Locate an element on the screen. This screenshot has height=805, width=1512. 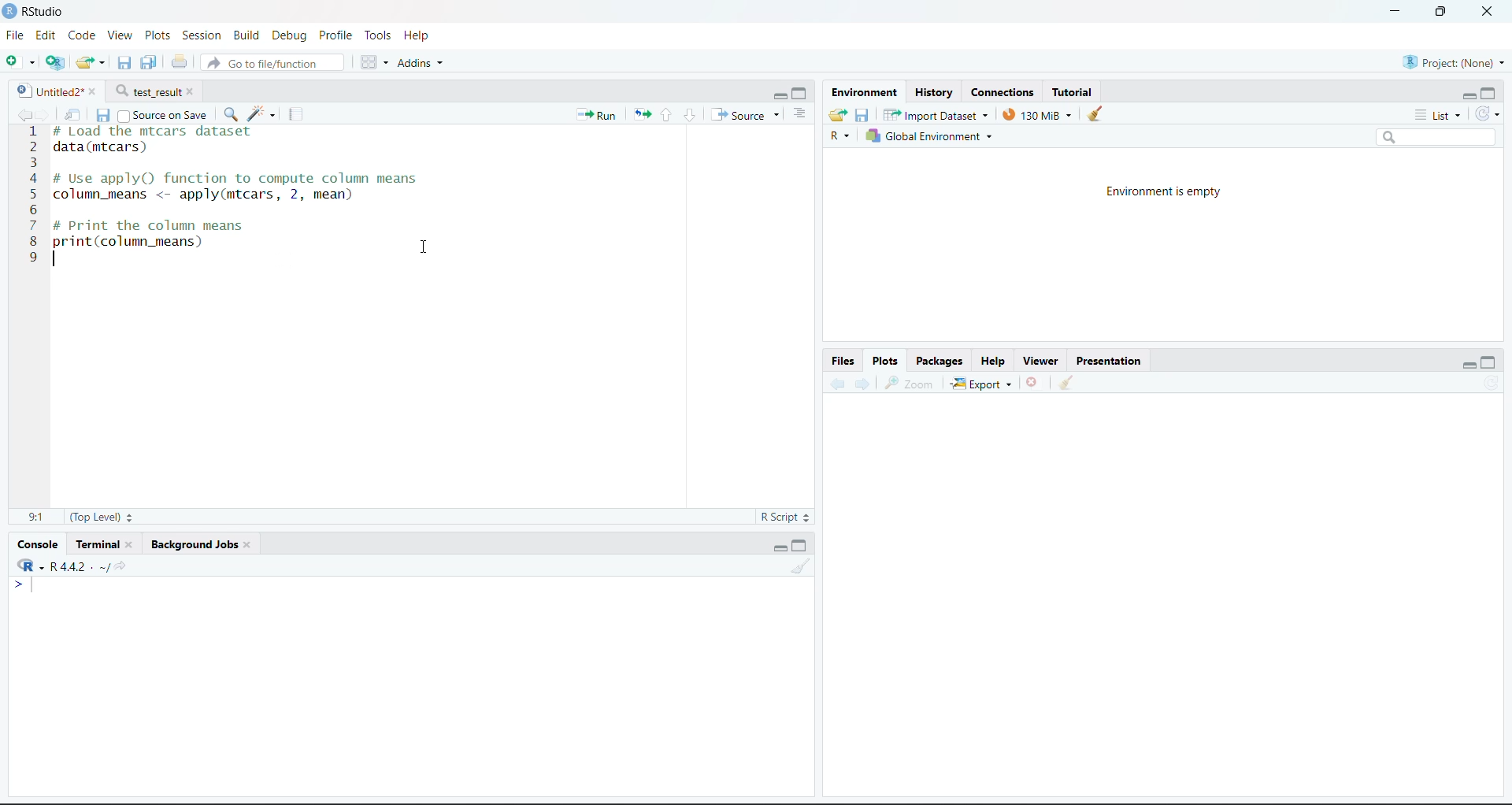
Clear console (Ctrl +L) is located at coordinates (798, 565).